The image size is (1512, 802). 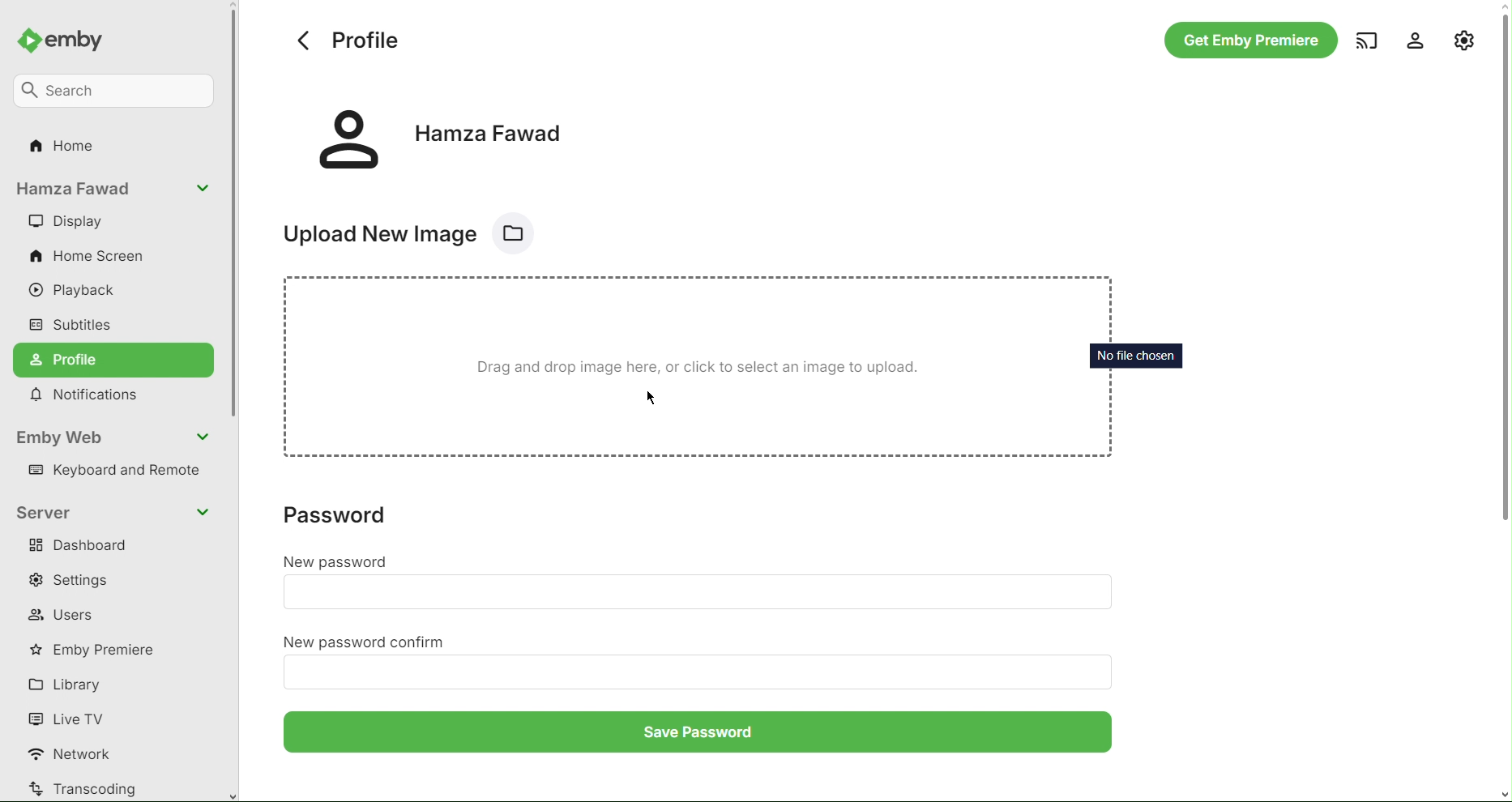 What do you see at coordinates (117, 88) in the screenshot?
I see `Search` at bounding box center [117, 88].